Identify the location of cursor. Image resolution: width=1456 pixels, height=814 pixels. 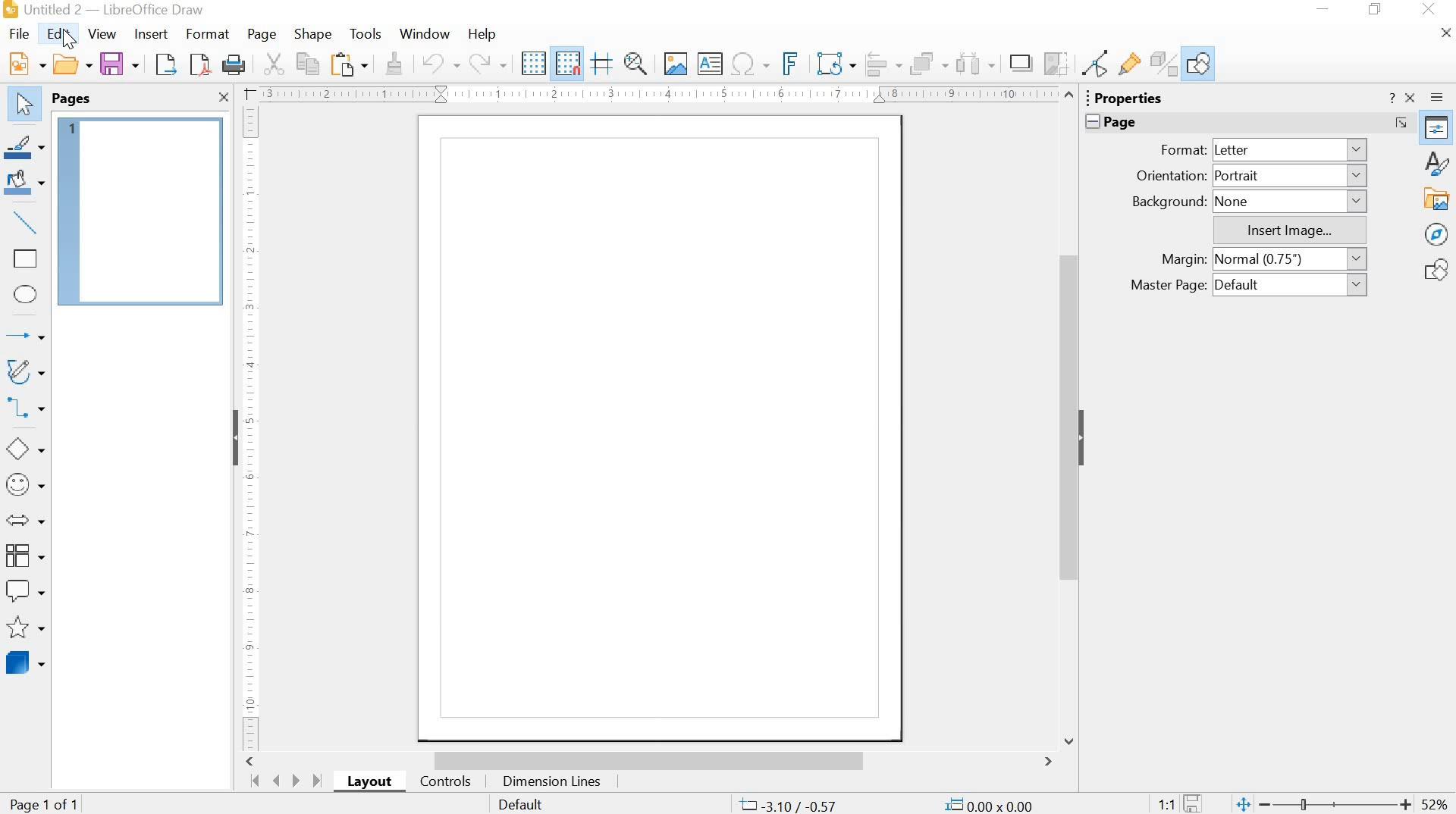
(65, 39).